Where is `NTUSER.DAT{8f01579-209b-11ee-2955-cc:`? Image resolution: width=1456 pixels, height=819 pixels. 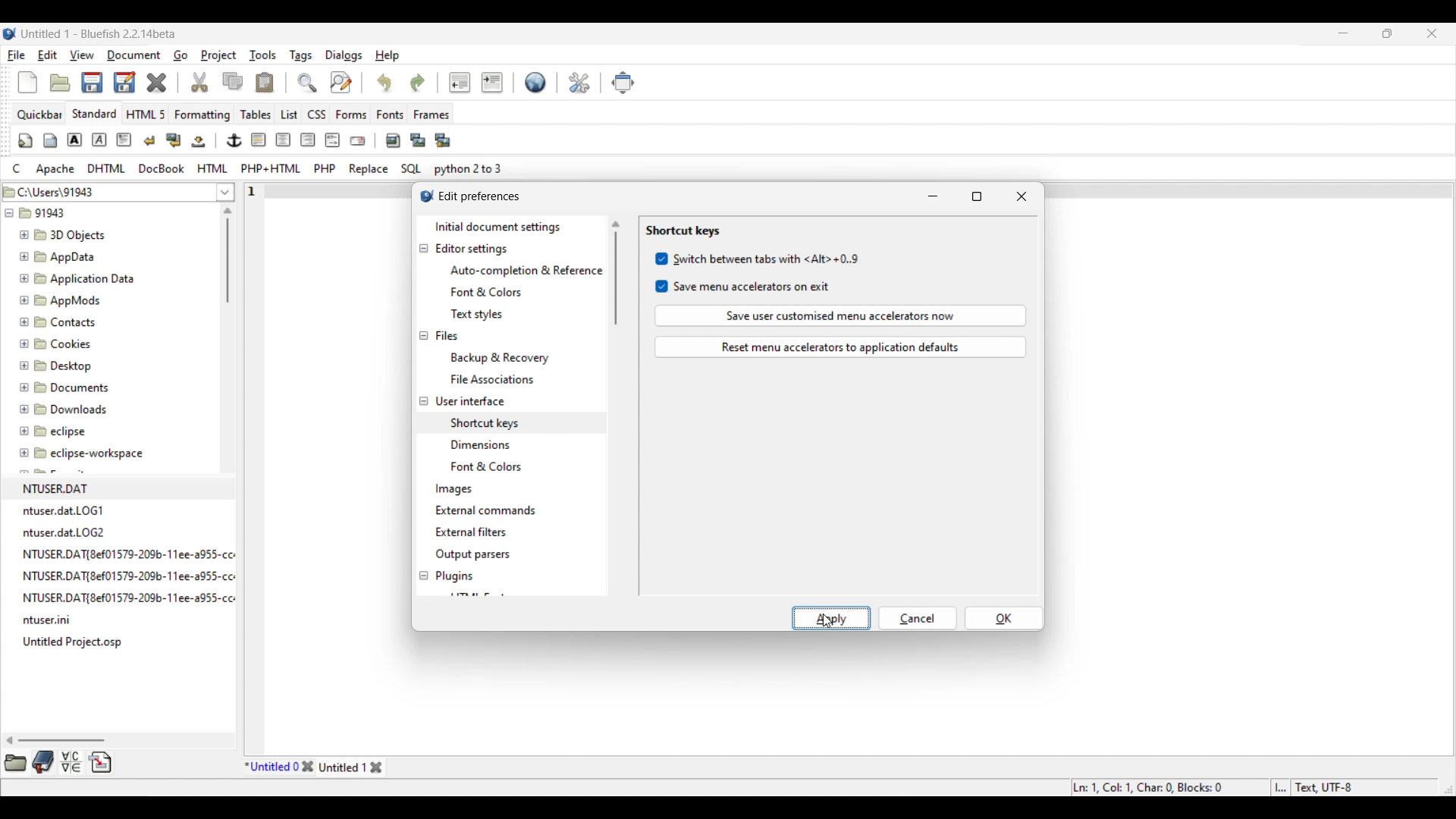
NTUSER.DAT{8f01579-209b-11ee-2955-cc: is located at coordinates (133, 553).